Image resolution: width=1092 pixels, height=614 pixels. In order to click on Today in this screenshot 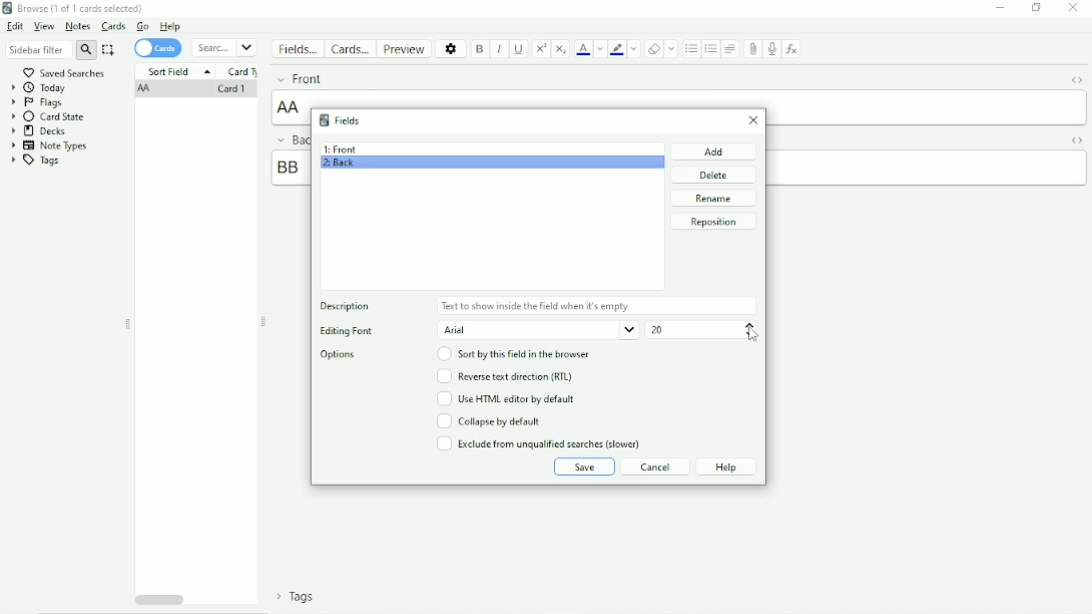, I will do `click(40, 88)`.